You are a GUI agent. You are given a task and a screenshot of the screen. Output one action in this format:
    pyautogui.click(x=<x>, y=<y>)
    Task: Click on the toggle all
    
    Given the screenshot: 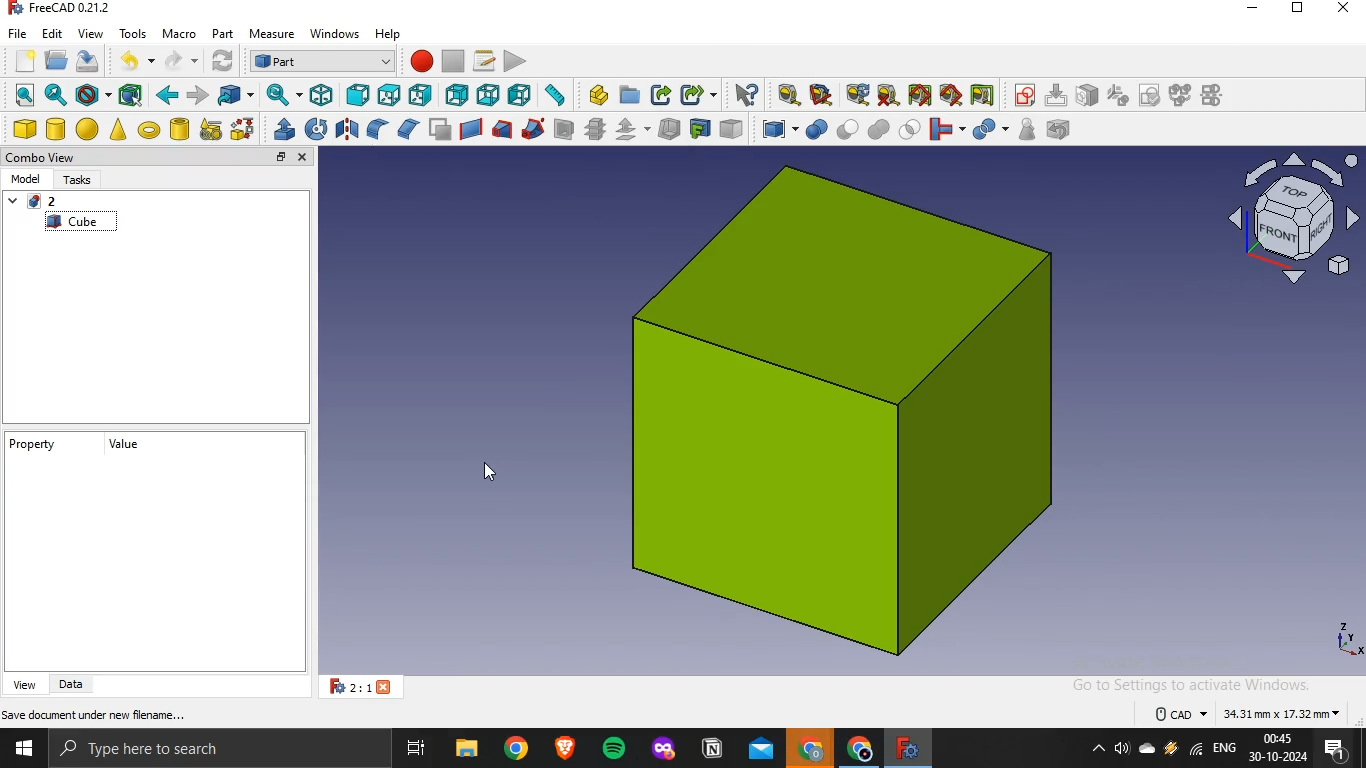 What is the action you would take?
    pyautogui.click(x=919, y=95)
    